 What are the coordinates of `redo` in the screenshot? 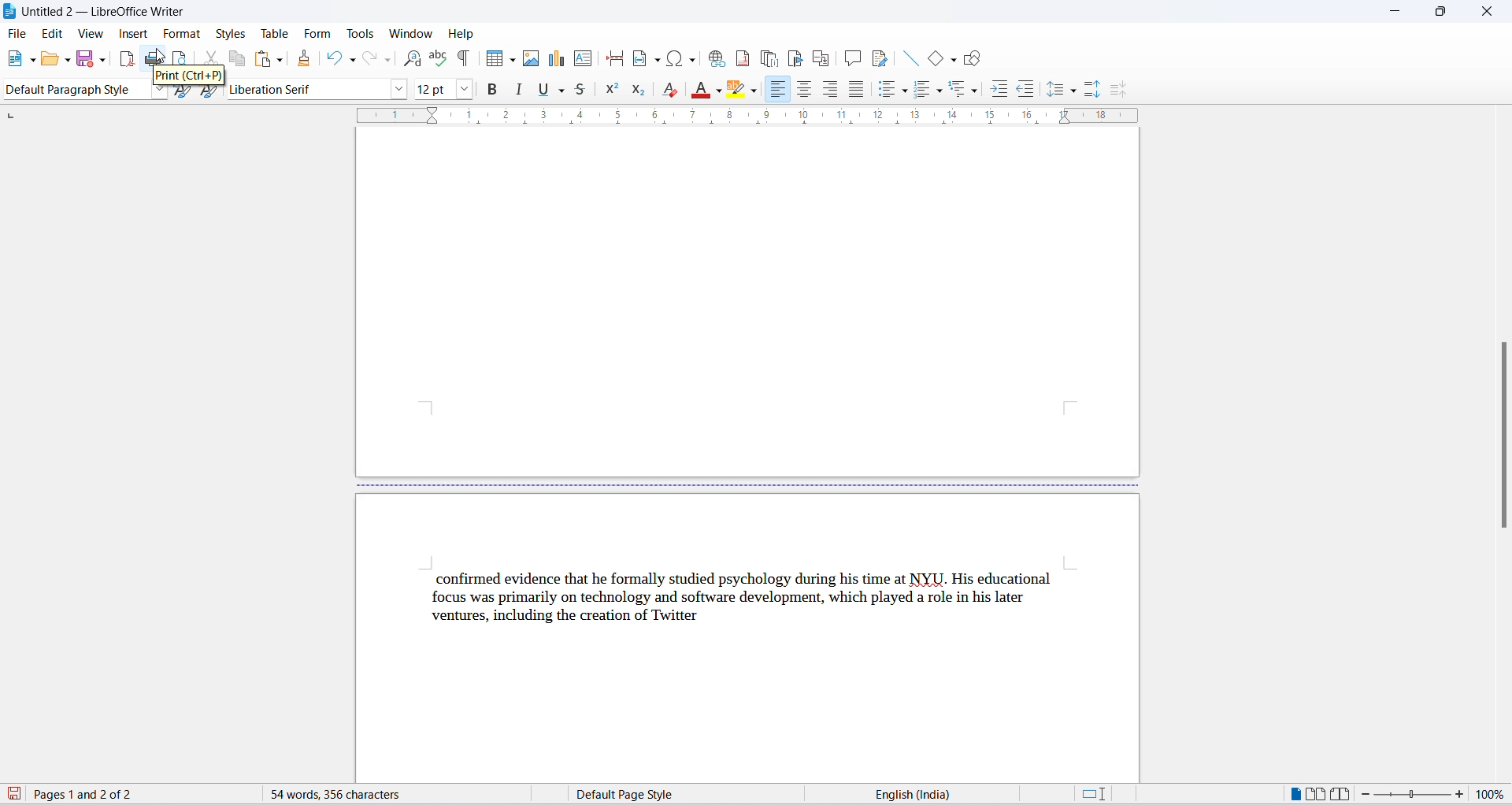 It's located at (371, 57).